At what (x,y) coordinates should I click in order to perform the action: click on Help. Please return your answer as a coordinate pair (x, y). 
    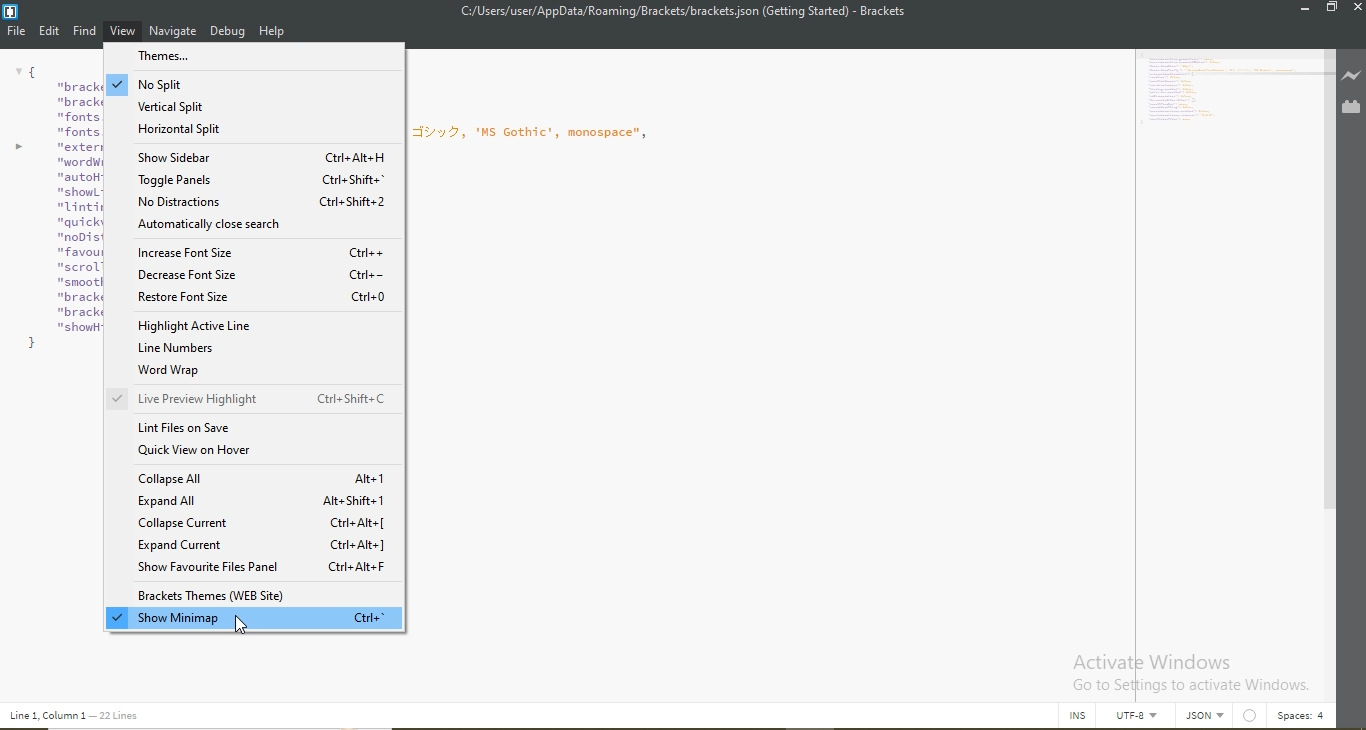
    Looking at the image, I should click on (273, 33).